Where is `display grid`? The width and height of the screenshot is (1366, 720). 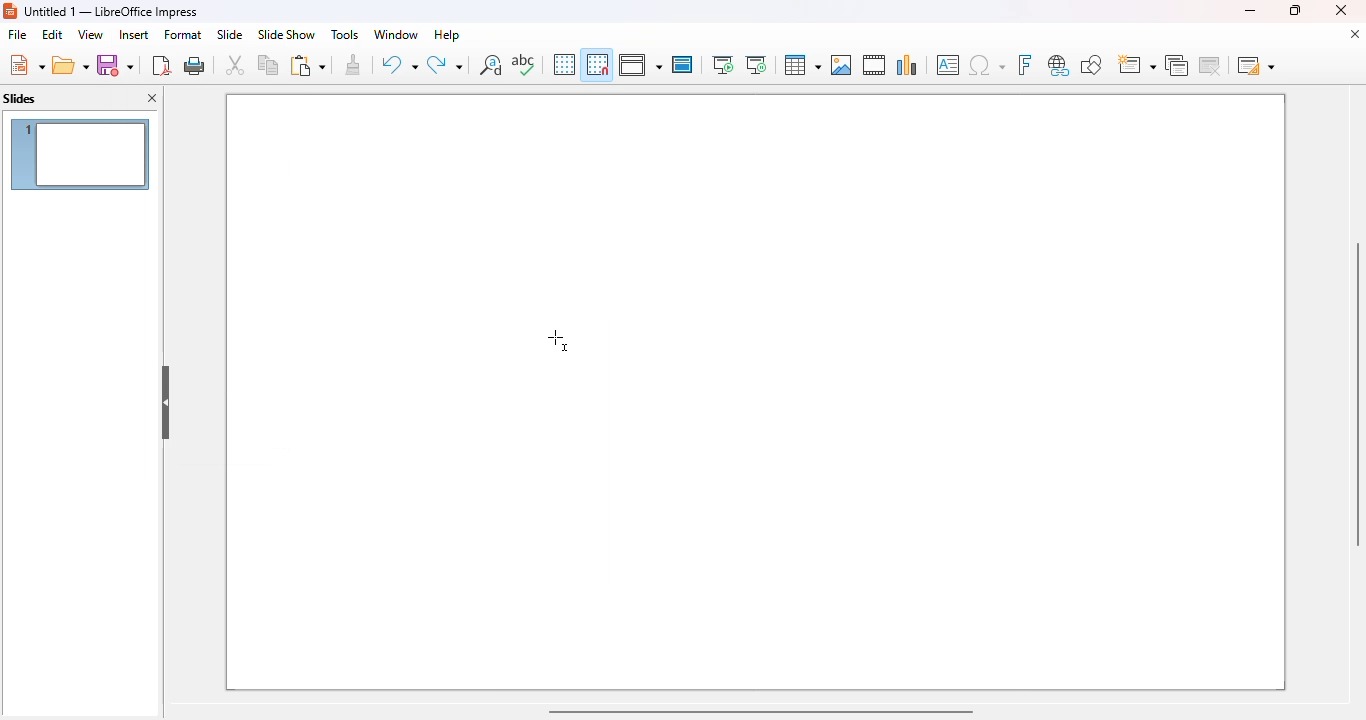
display grid is located at coordinates (563, 64).